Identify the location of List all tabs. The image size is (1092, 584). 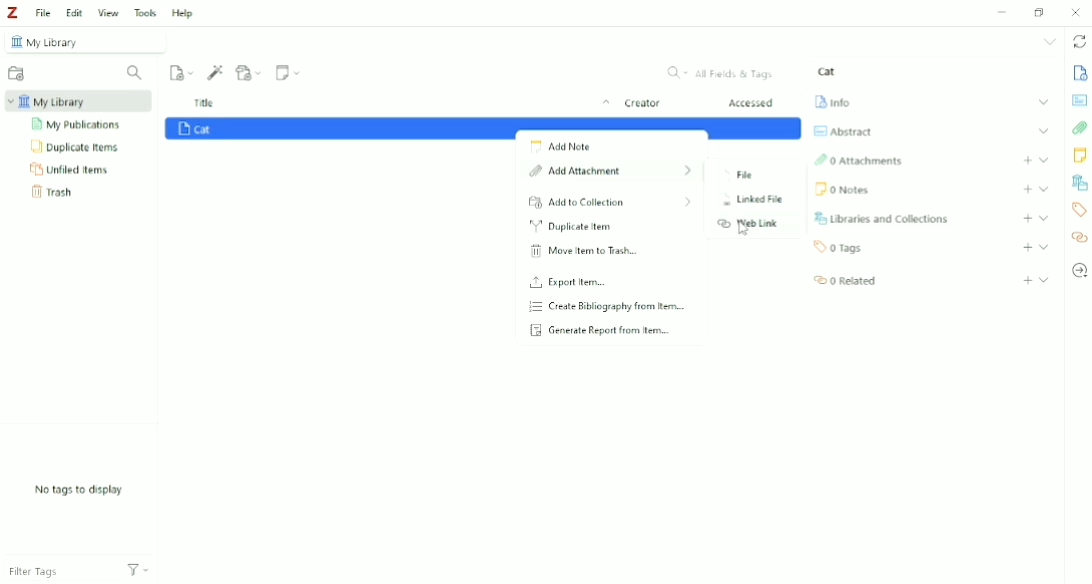
(1051, 41).